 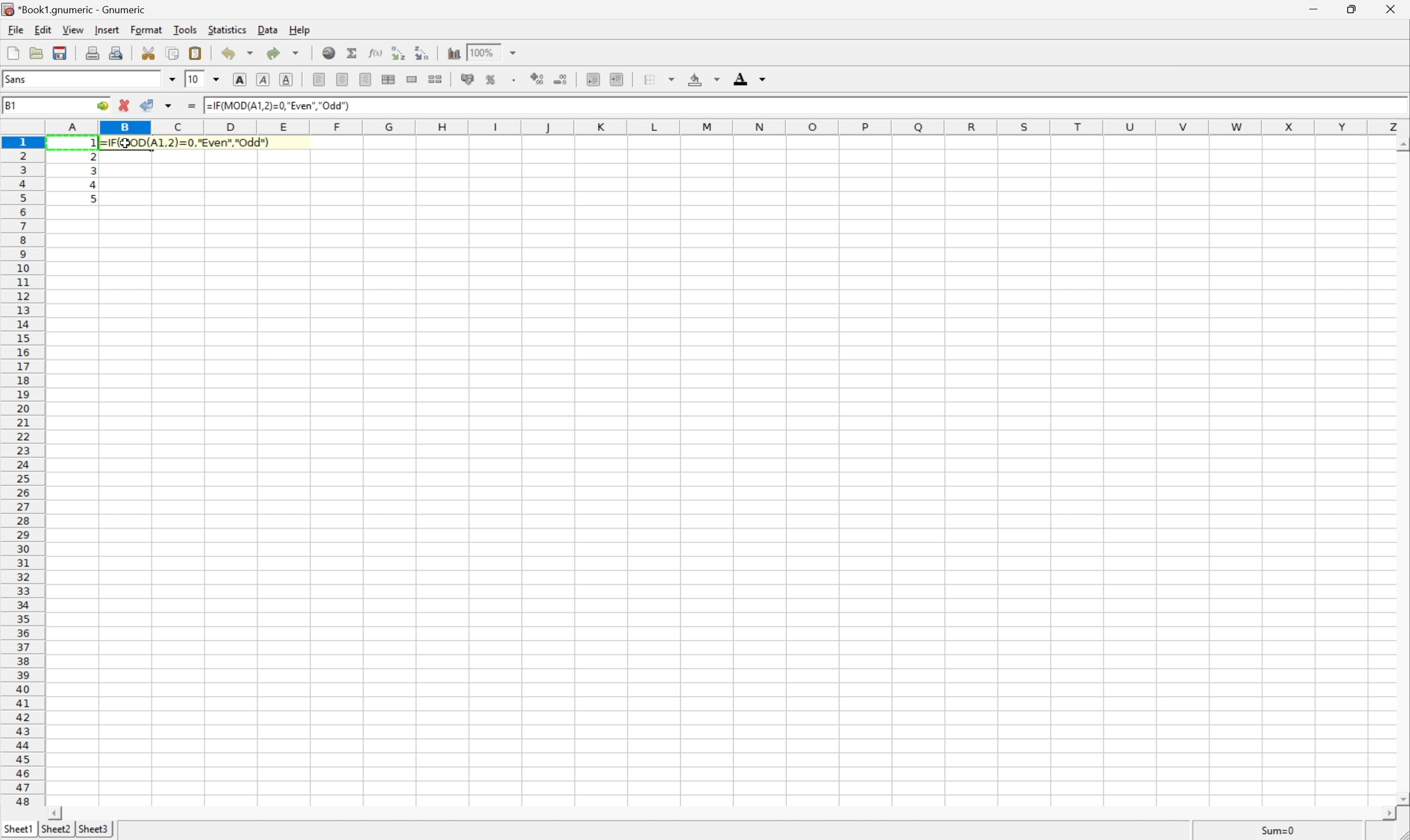 I want to click on 2, so click(x=93, y=155).